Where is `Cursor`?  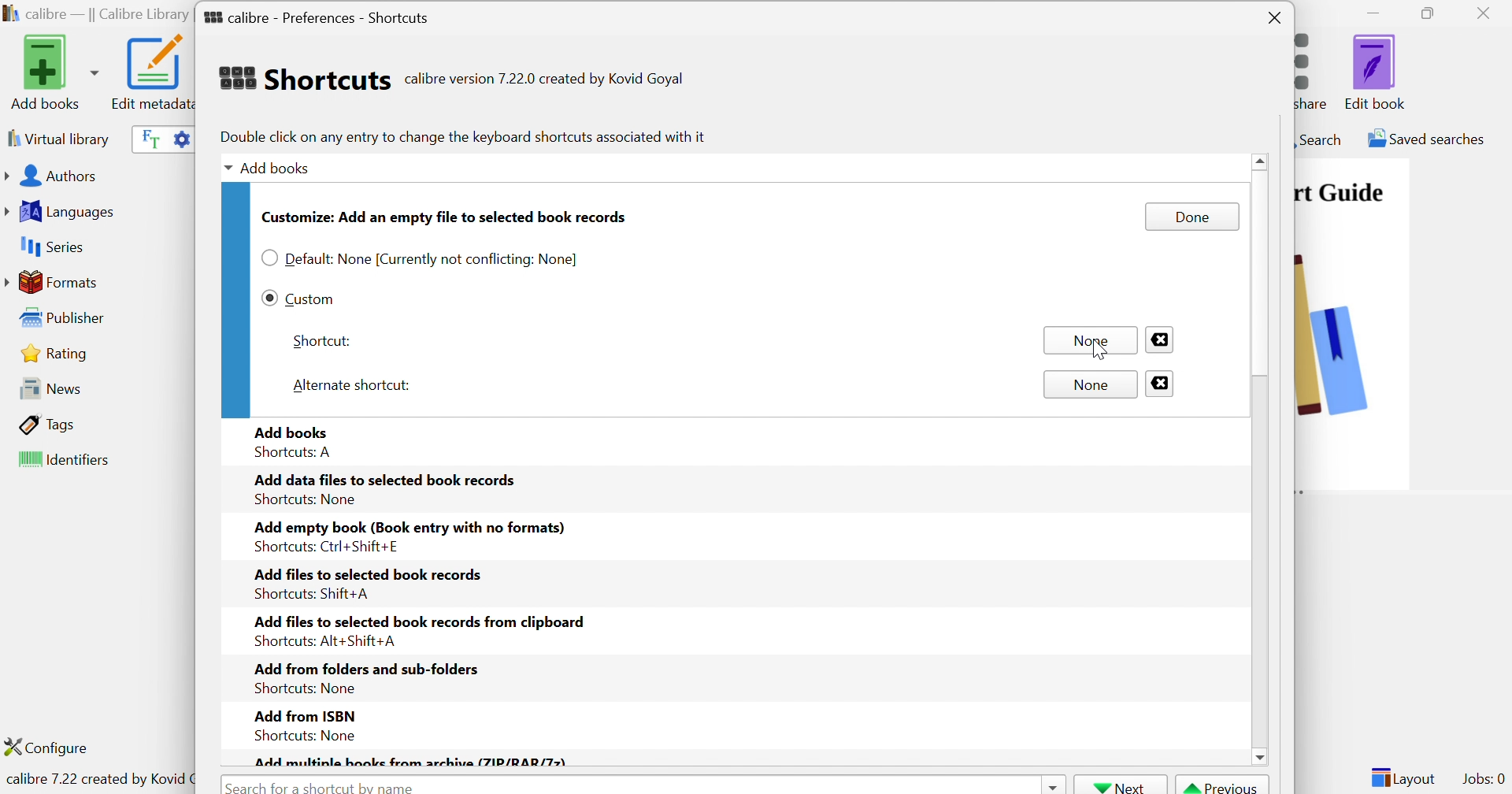
Cursor is located at coordinates (1095, 349).